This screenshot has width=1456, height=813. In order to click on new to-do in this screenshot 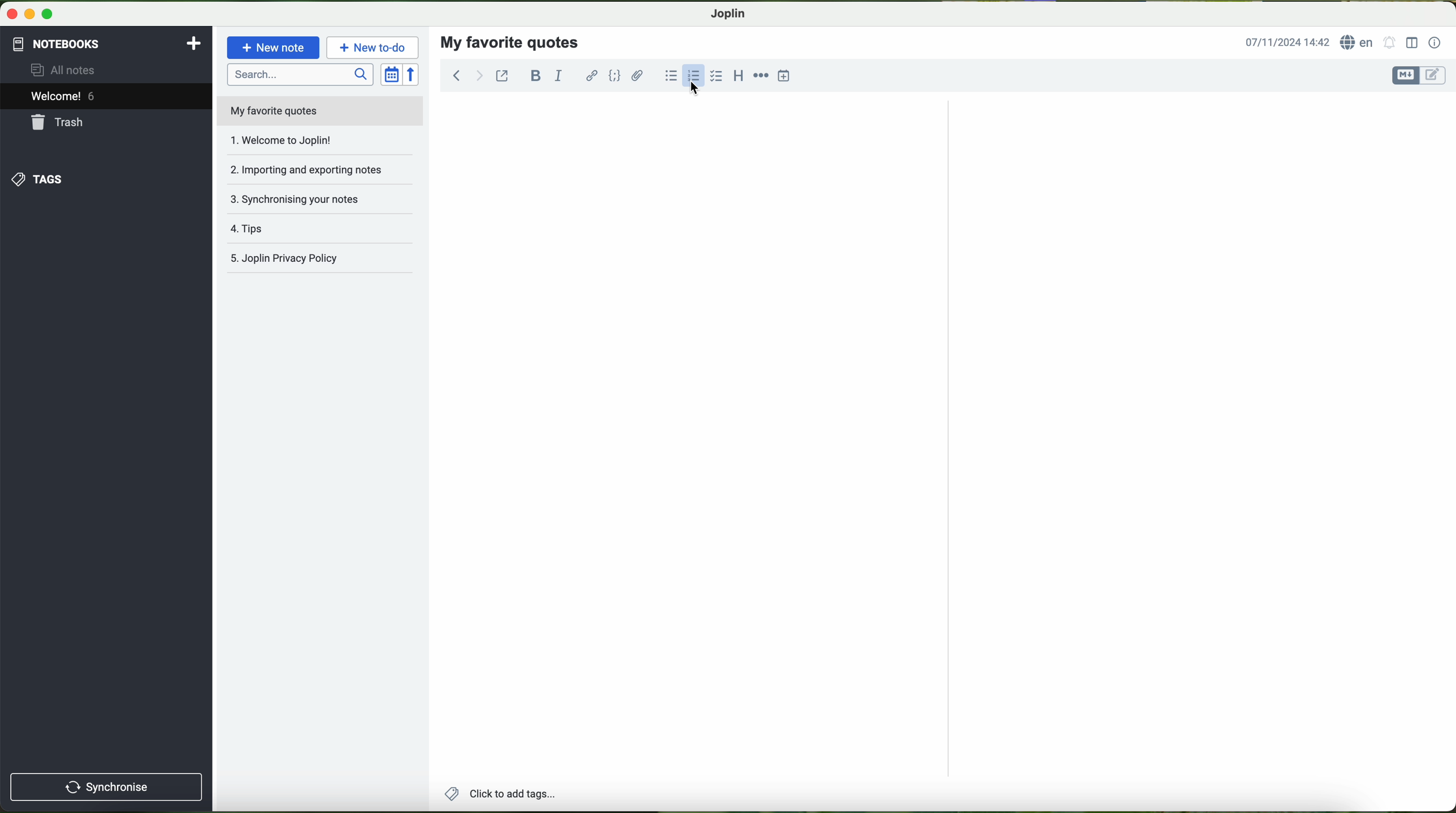, I will do `click(374, 48)`.